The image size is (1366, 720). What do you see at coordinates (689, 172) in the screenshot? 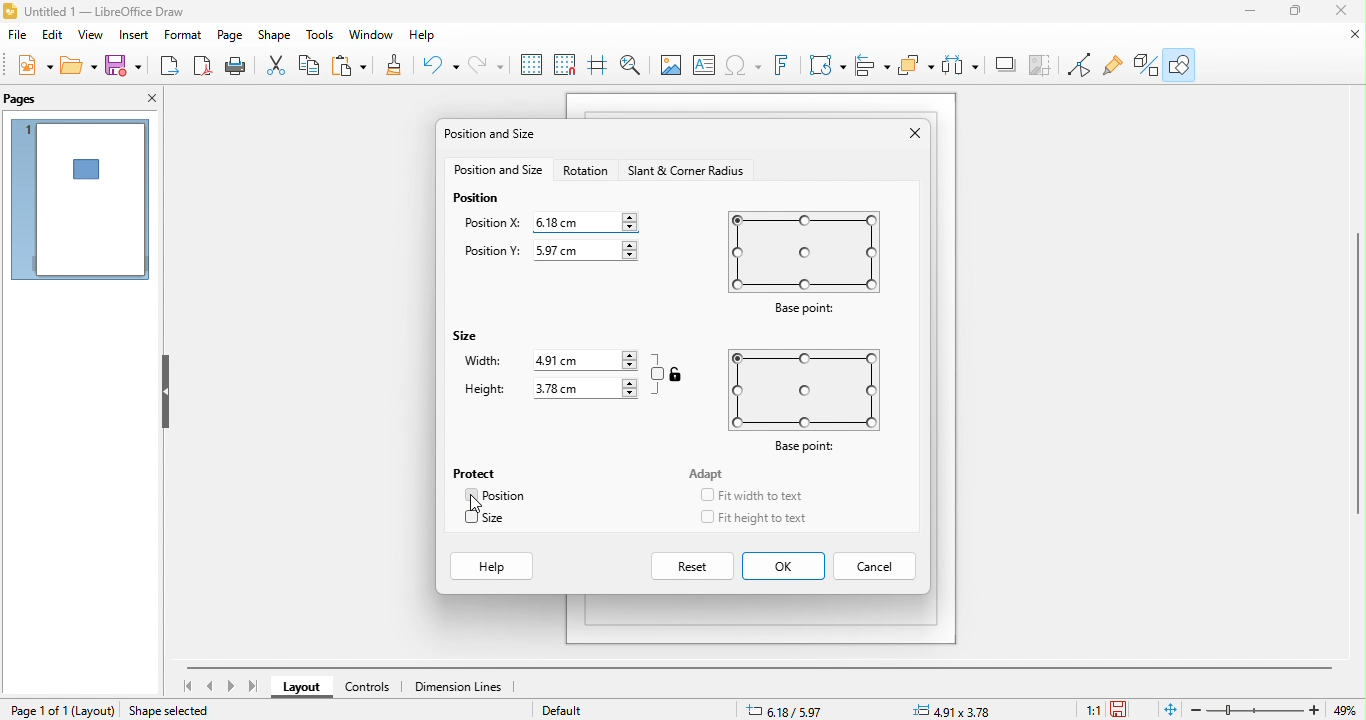
I see `start and corner radious` at bounding box center [689, 172].